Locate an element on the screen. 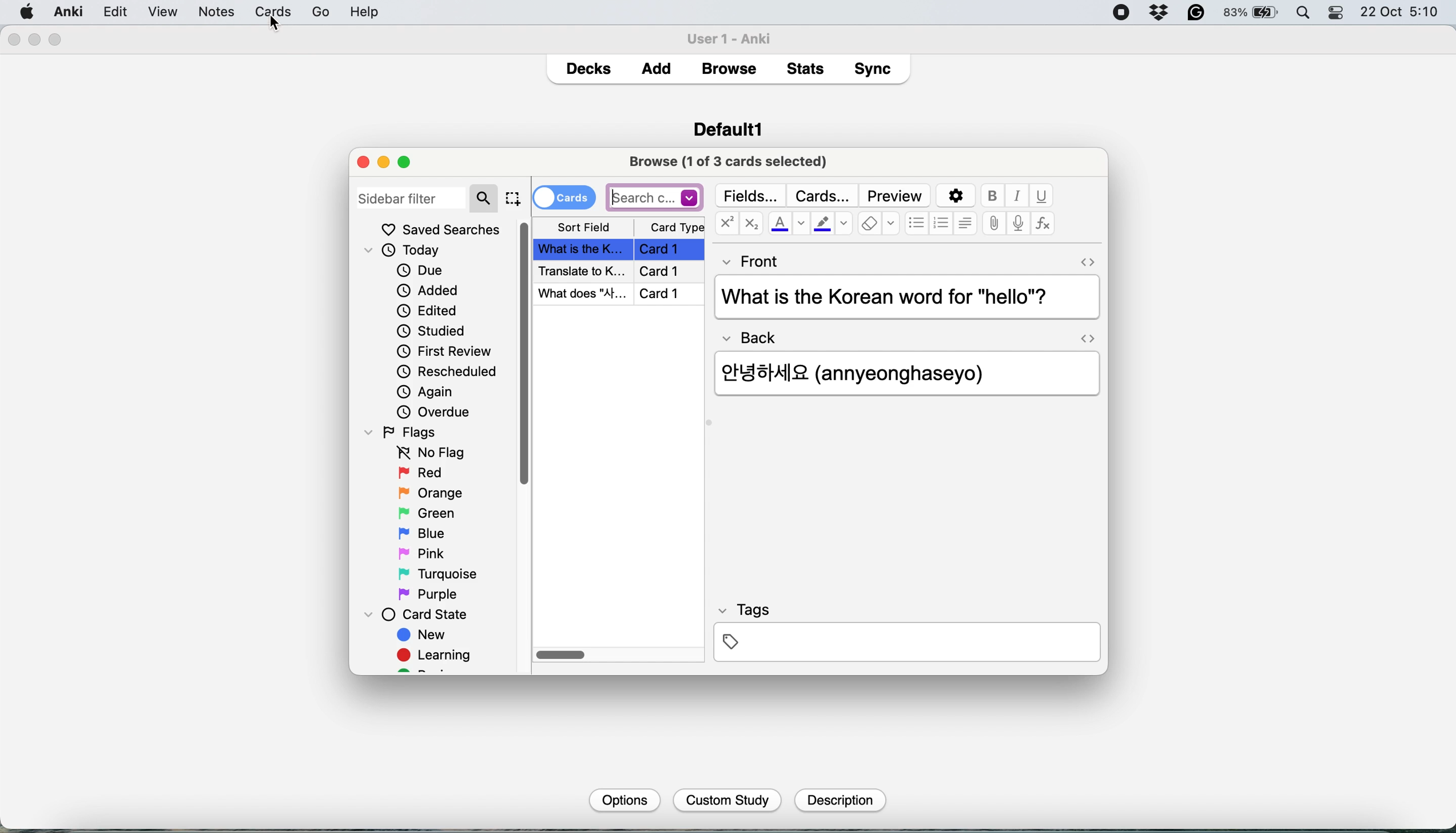  anki is located at coordinates (70, 11).